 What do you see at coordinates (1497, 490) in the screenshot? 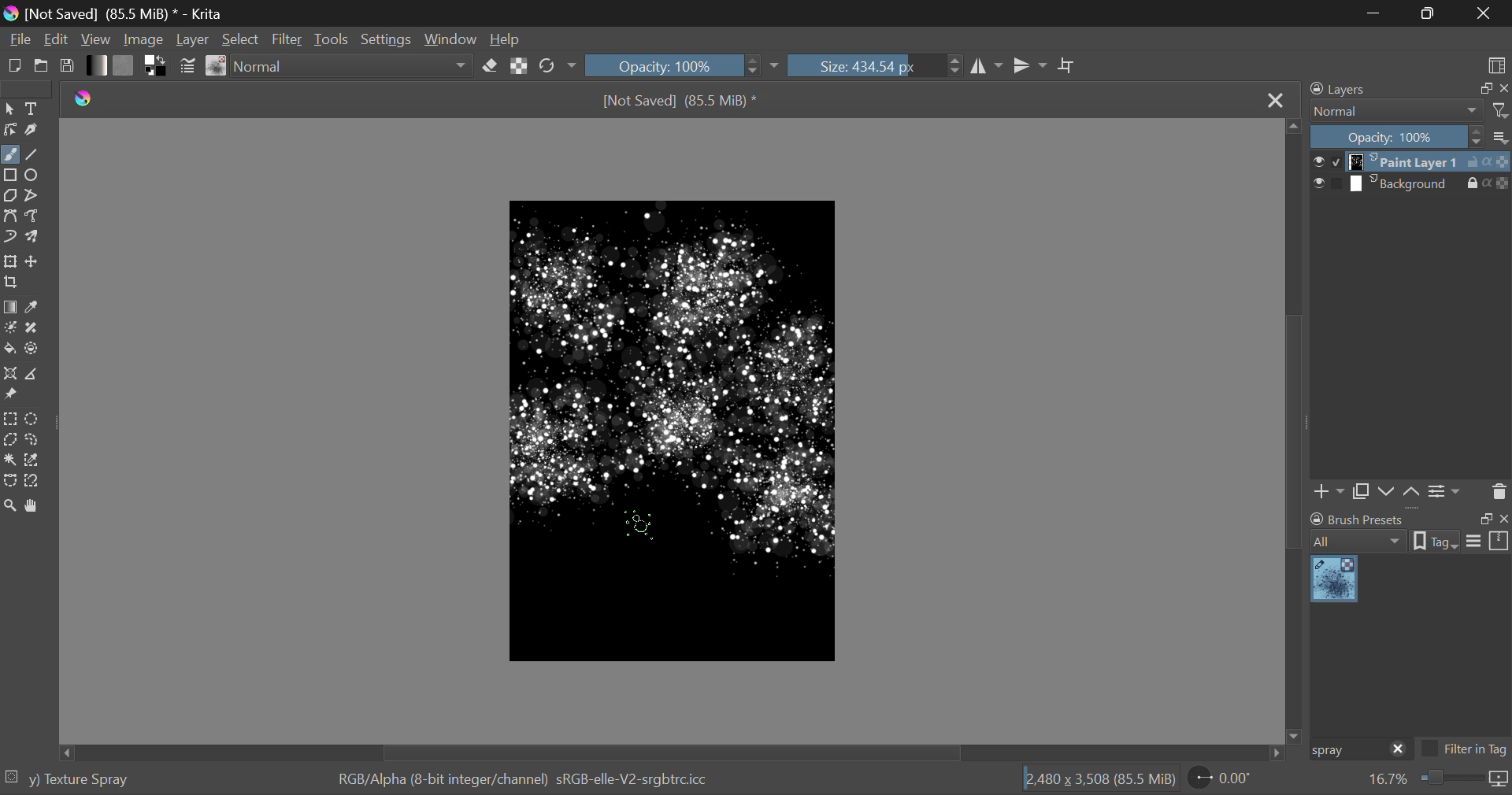
I see `Delete Layer` at bounding box center [1497, 490].